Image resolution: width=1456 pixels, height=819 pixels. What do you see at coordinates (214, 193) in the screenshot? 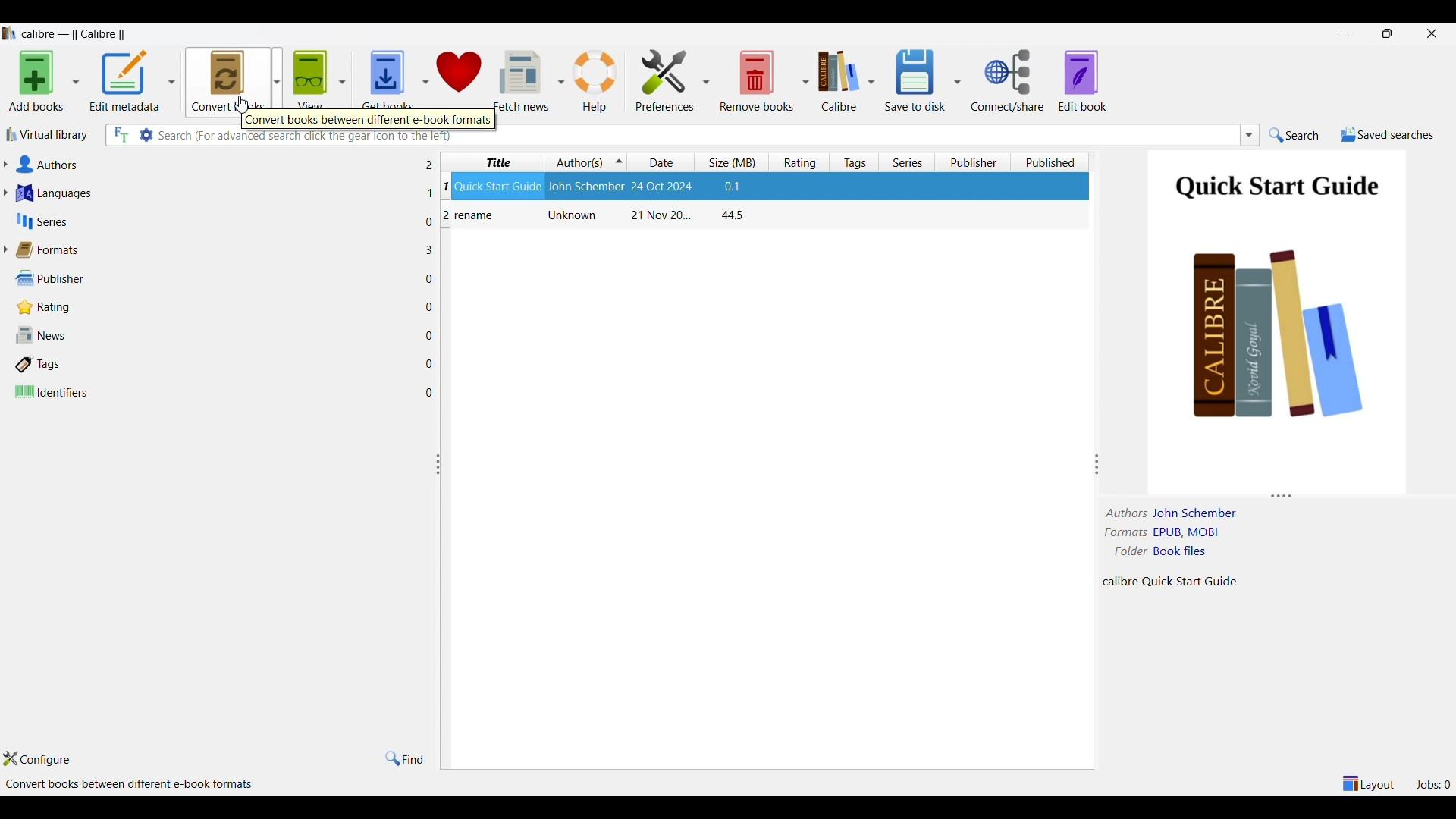
I see `Languages` at bounding box center [214, 193].